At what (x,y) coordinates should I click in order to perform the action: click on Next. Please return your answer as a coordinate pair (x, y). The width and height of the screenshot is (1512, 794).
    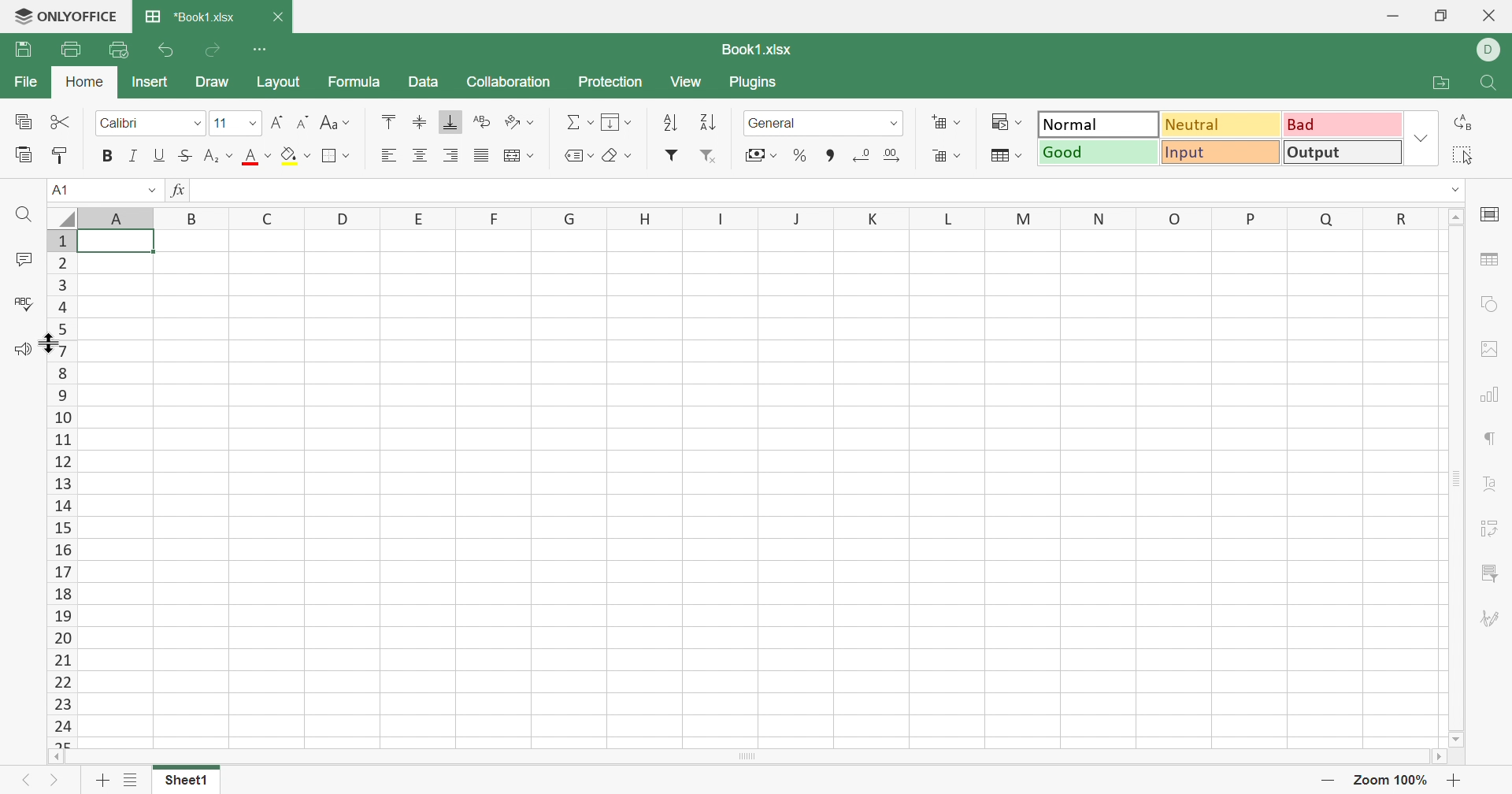
    Looking at the image, I should click on (54, 783).